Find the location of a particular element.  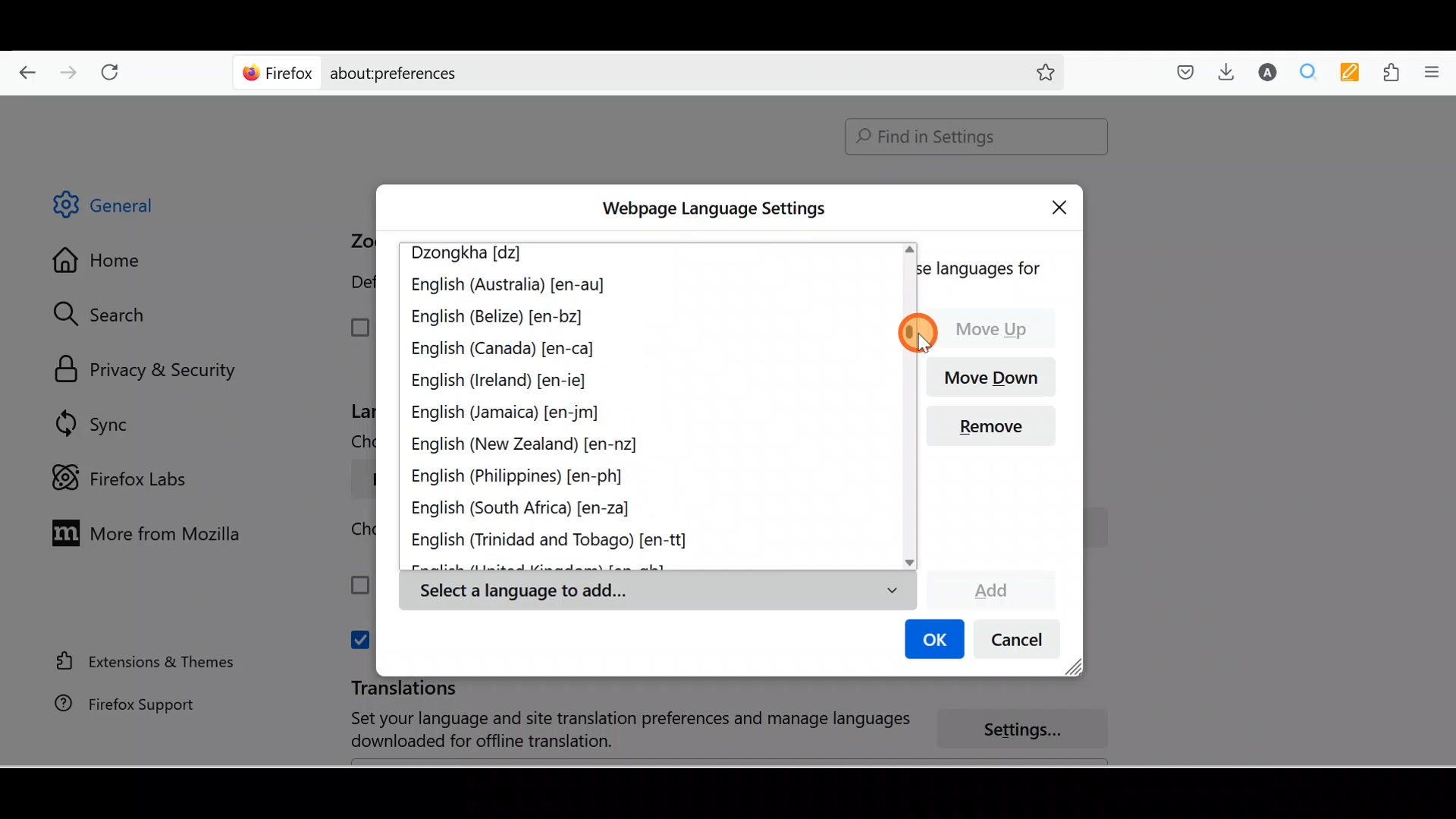

about:preferences is located at coordinates (605, 71).